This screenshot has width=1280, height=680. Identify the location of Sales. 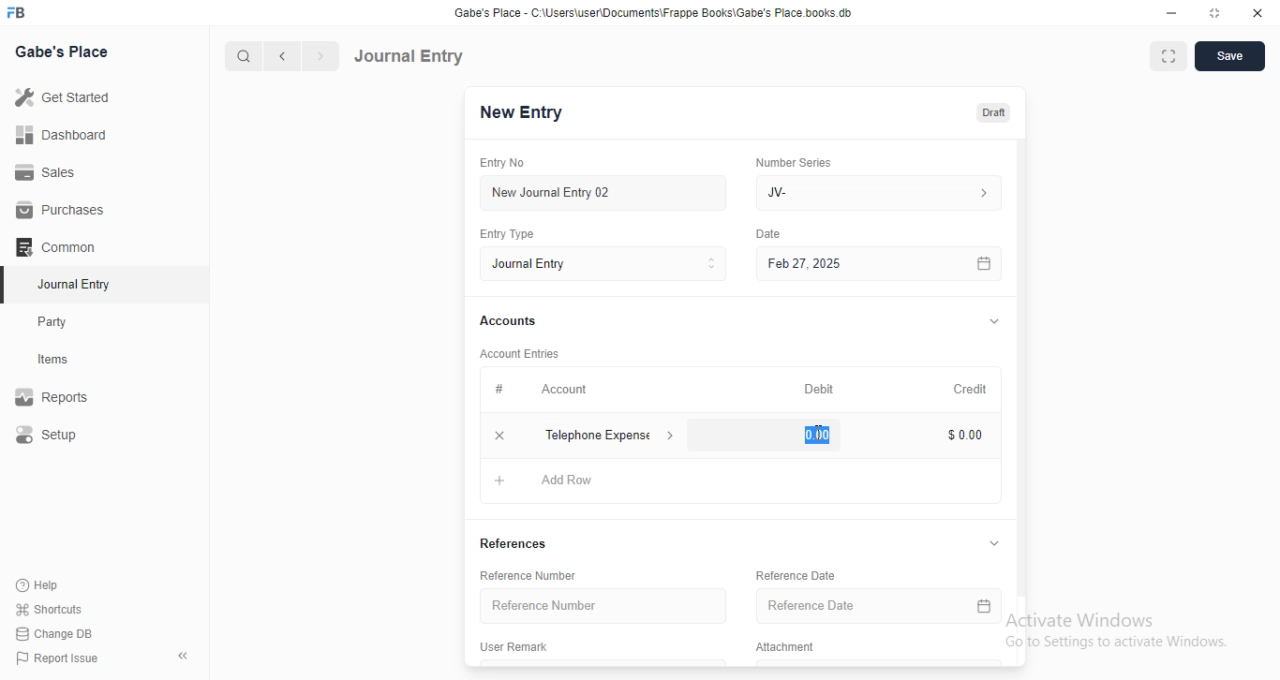
(49, 174).